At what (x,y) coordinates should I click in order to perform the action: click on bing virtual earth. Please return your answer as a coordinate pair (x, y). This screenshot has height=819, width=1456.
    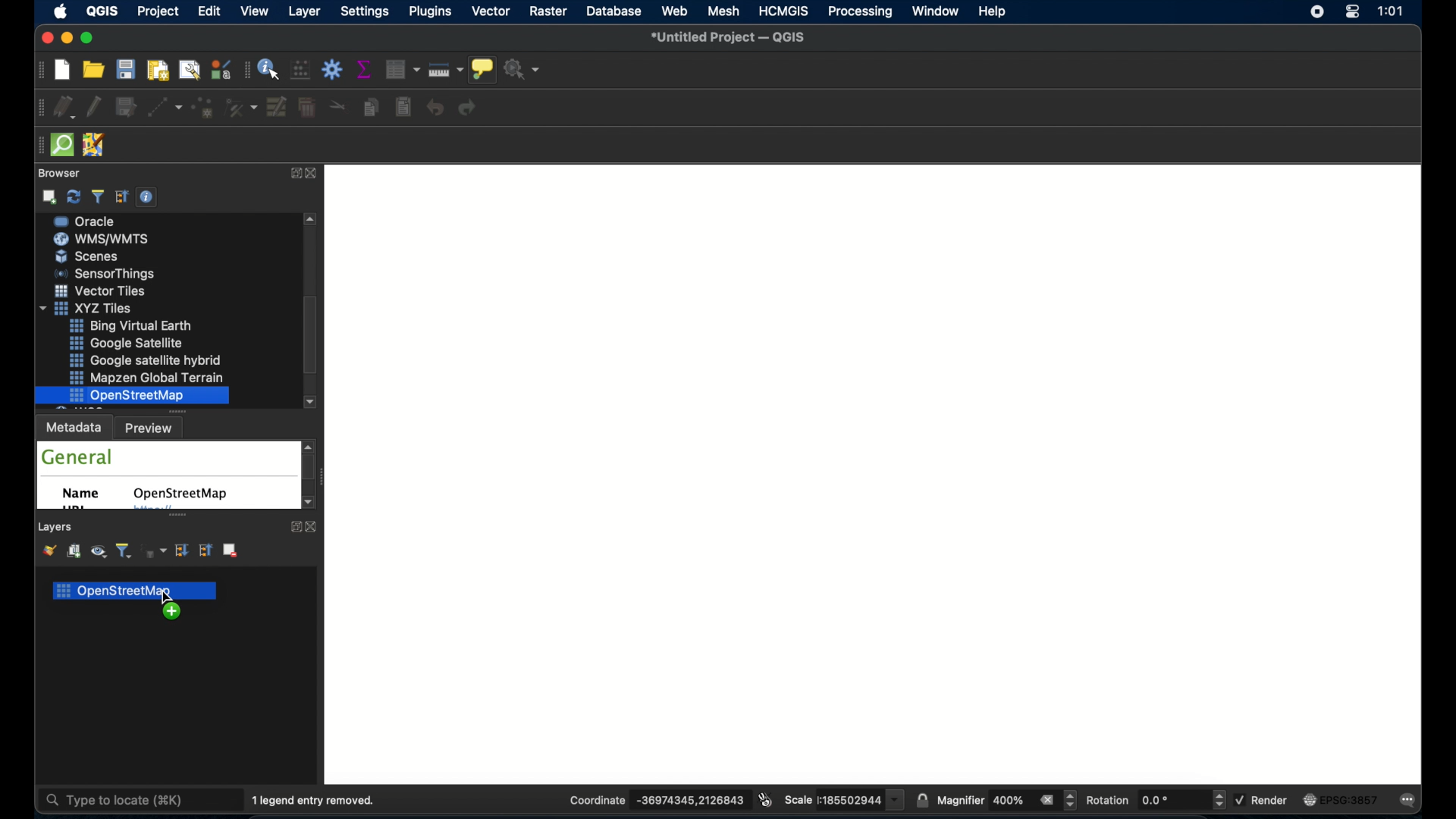
    Looking at the image, I should click on (151, 378).